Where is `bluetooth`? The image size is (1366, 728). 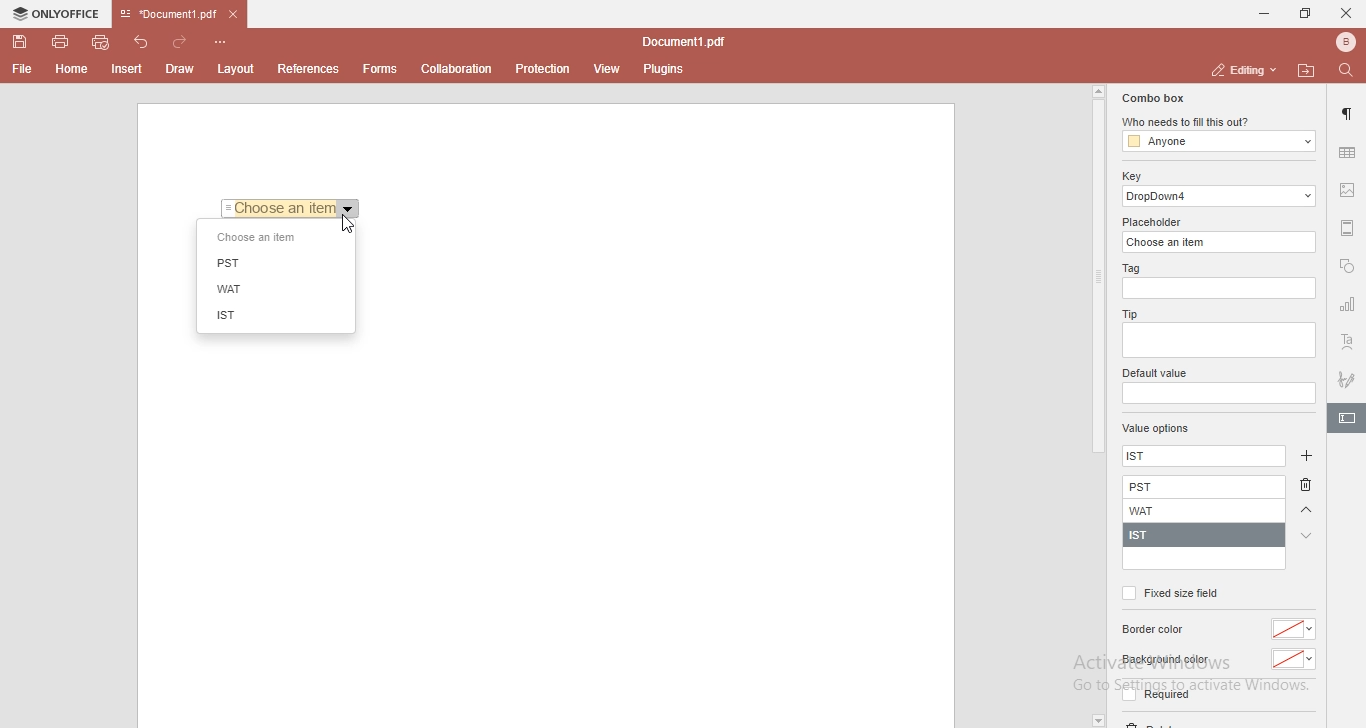
bluetooth is located at coordinates (1340, 42).